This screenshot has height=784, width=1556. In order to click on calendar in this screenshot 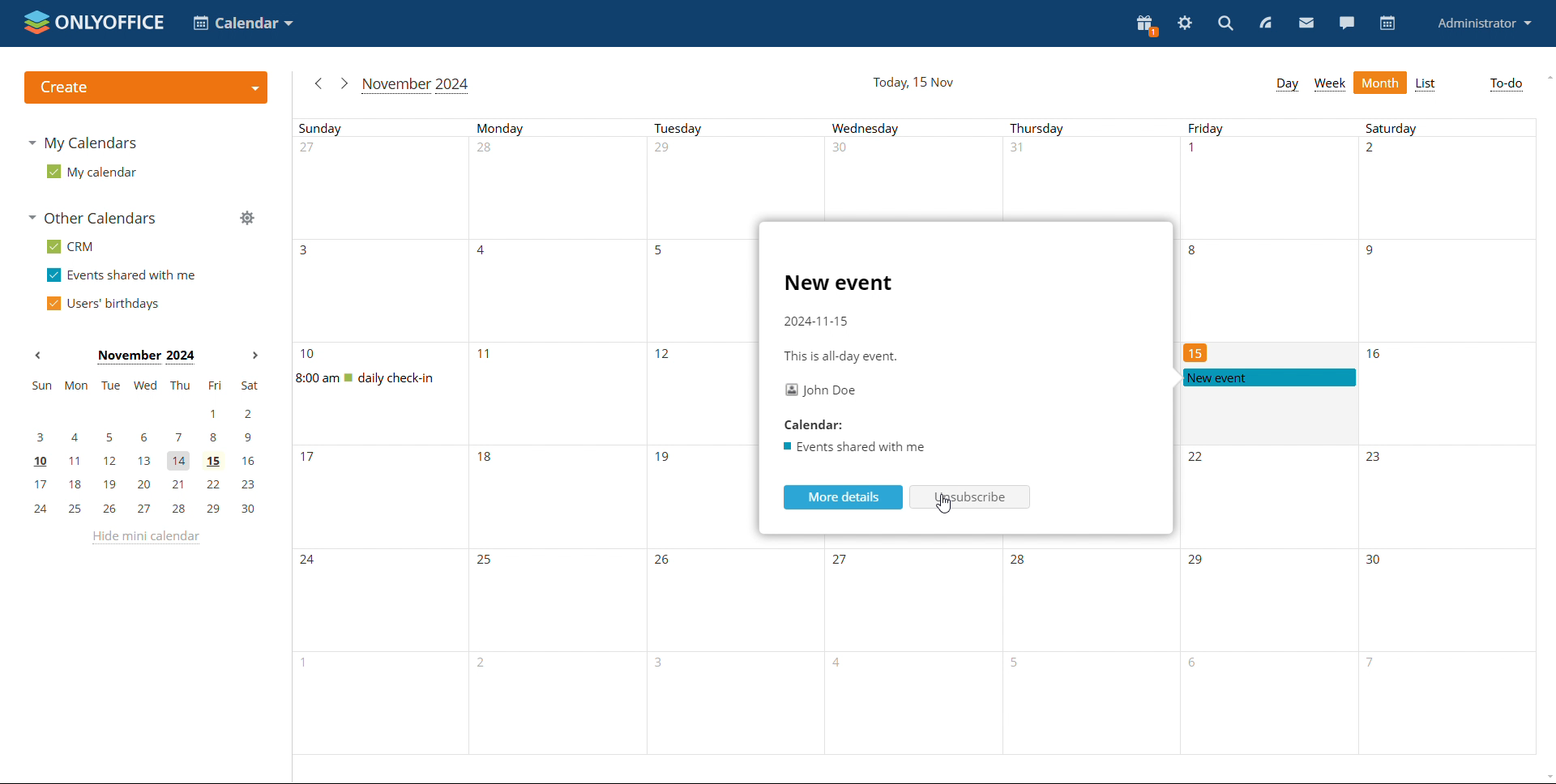, I will do `click(823, 422)`.